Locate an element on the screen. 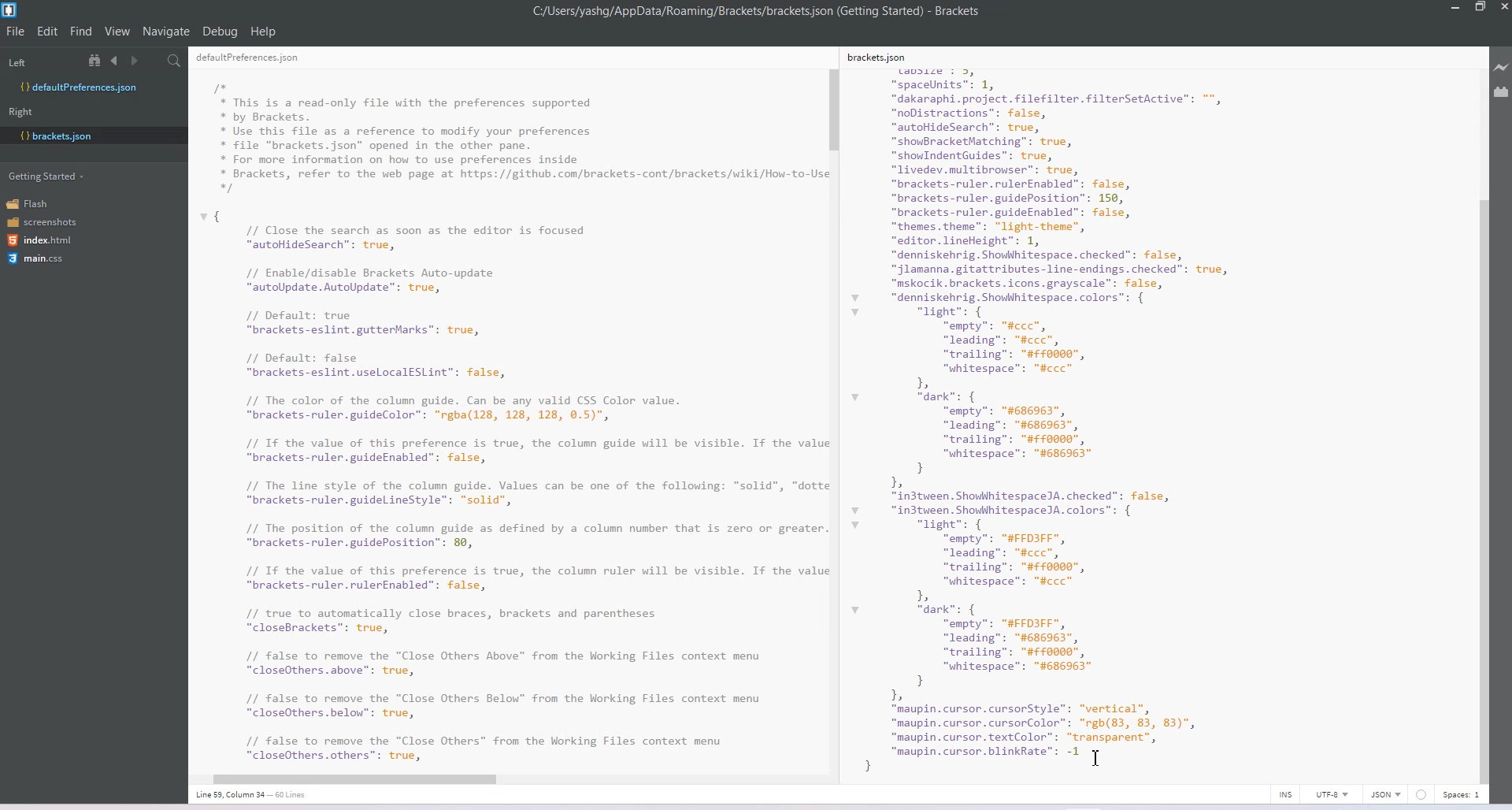  C:/Users/yashg/AppData/Roaming/Brackets/brackets json (Getting Started) - Brackets is located at coordinates (758, 11).